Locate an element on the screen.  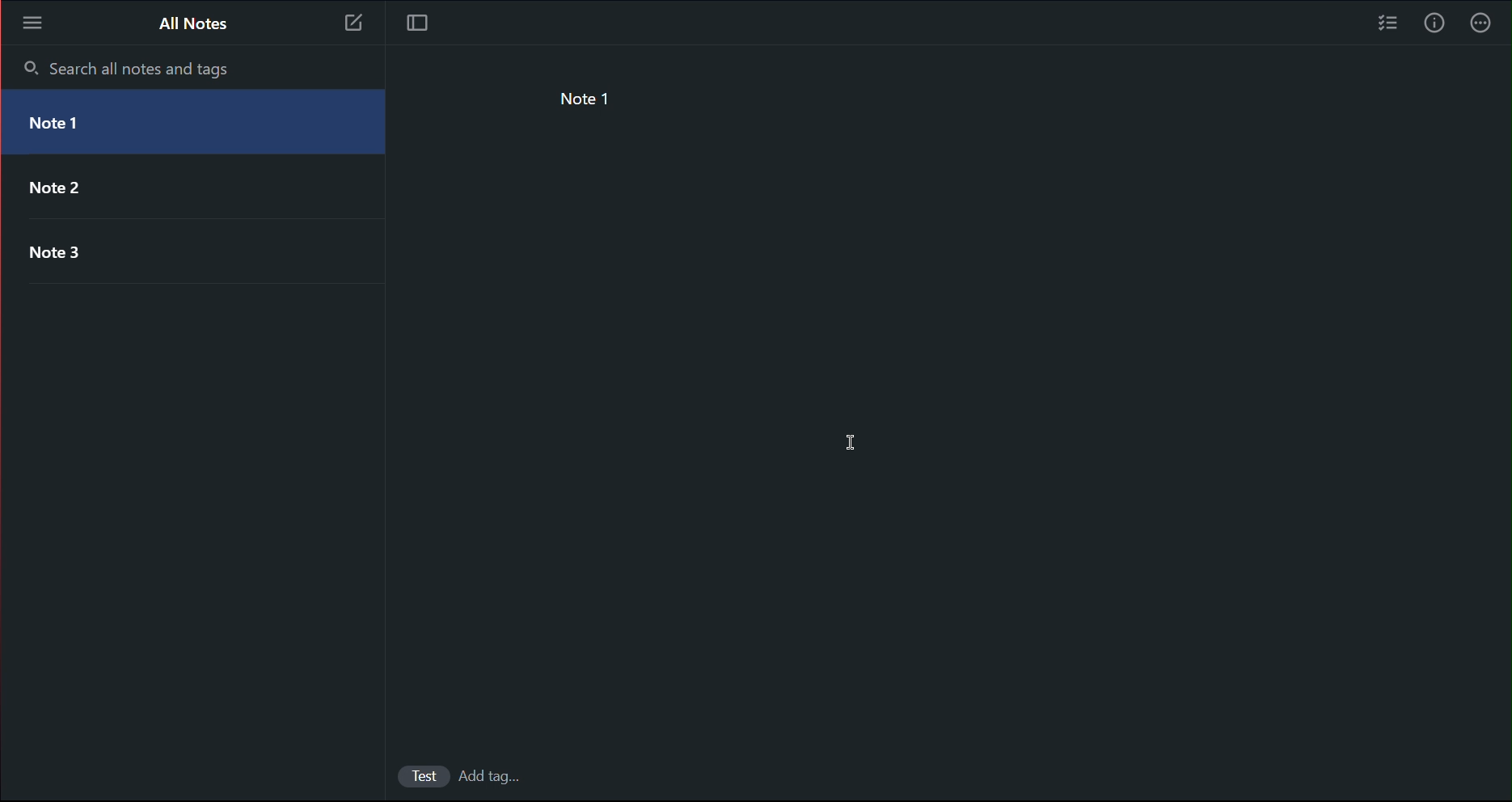
Note 1 is located at coordinates (596, 103).